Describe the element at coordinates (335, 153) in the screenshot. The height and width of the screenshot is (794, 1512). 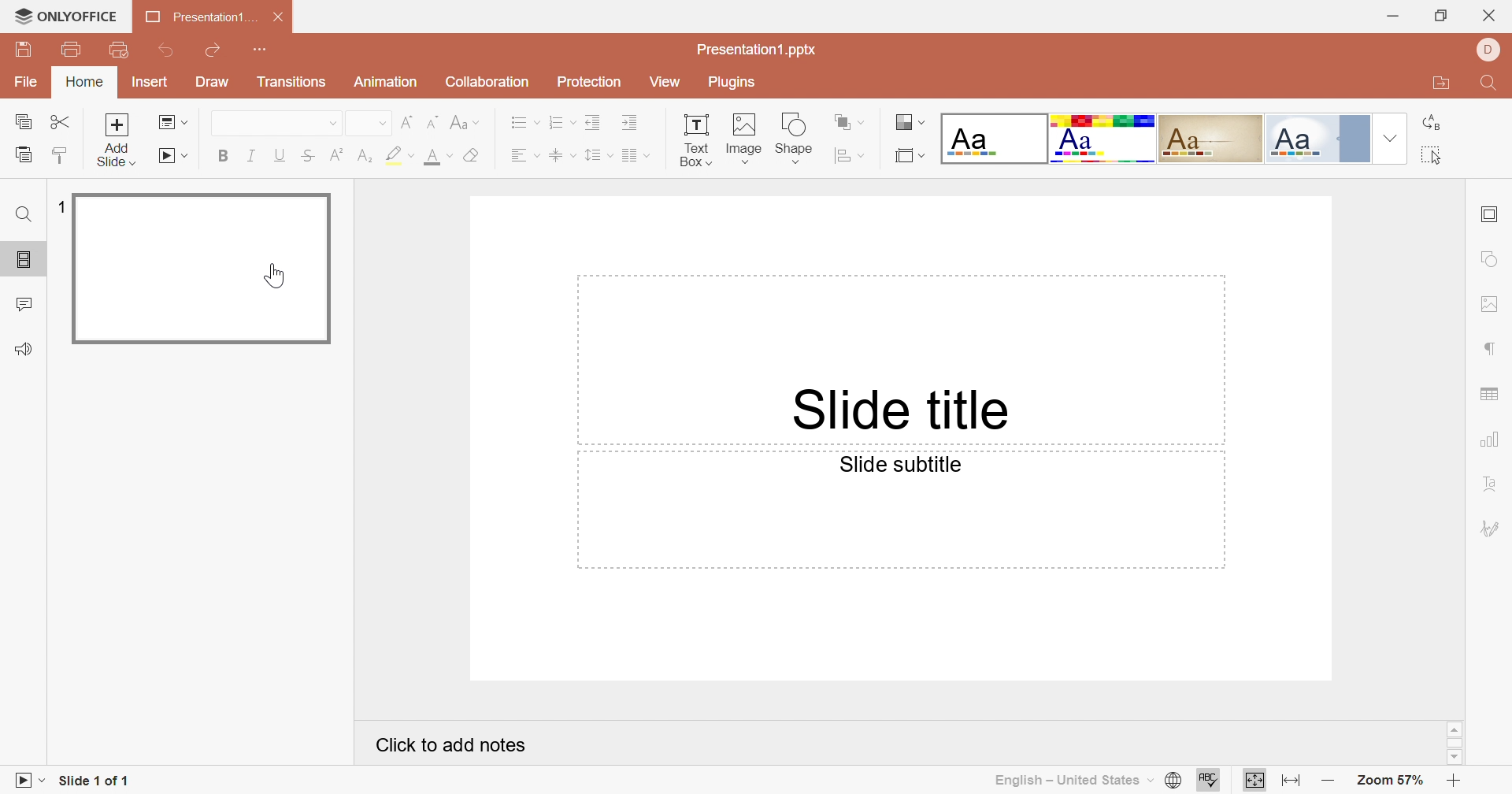
I see `Superscript` at that location.